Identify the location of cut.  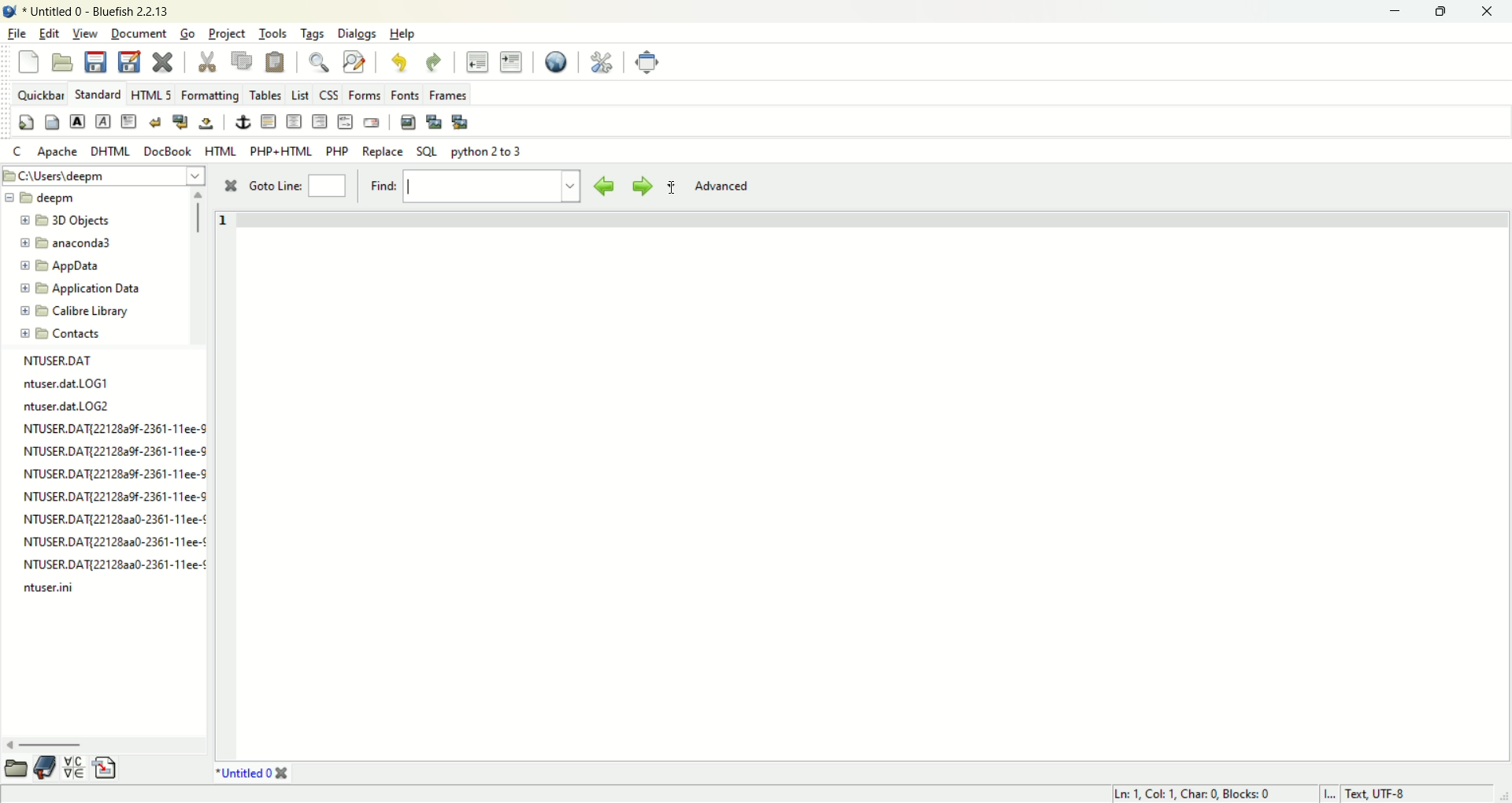
(206, 63).